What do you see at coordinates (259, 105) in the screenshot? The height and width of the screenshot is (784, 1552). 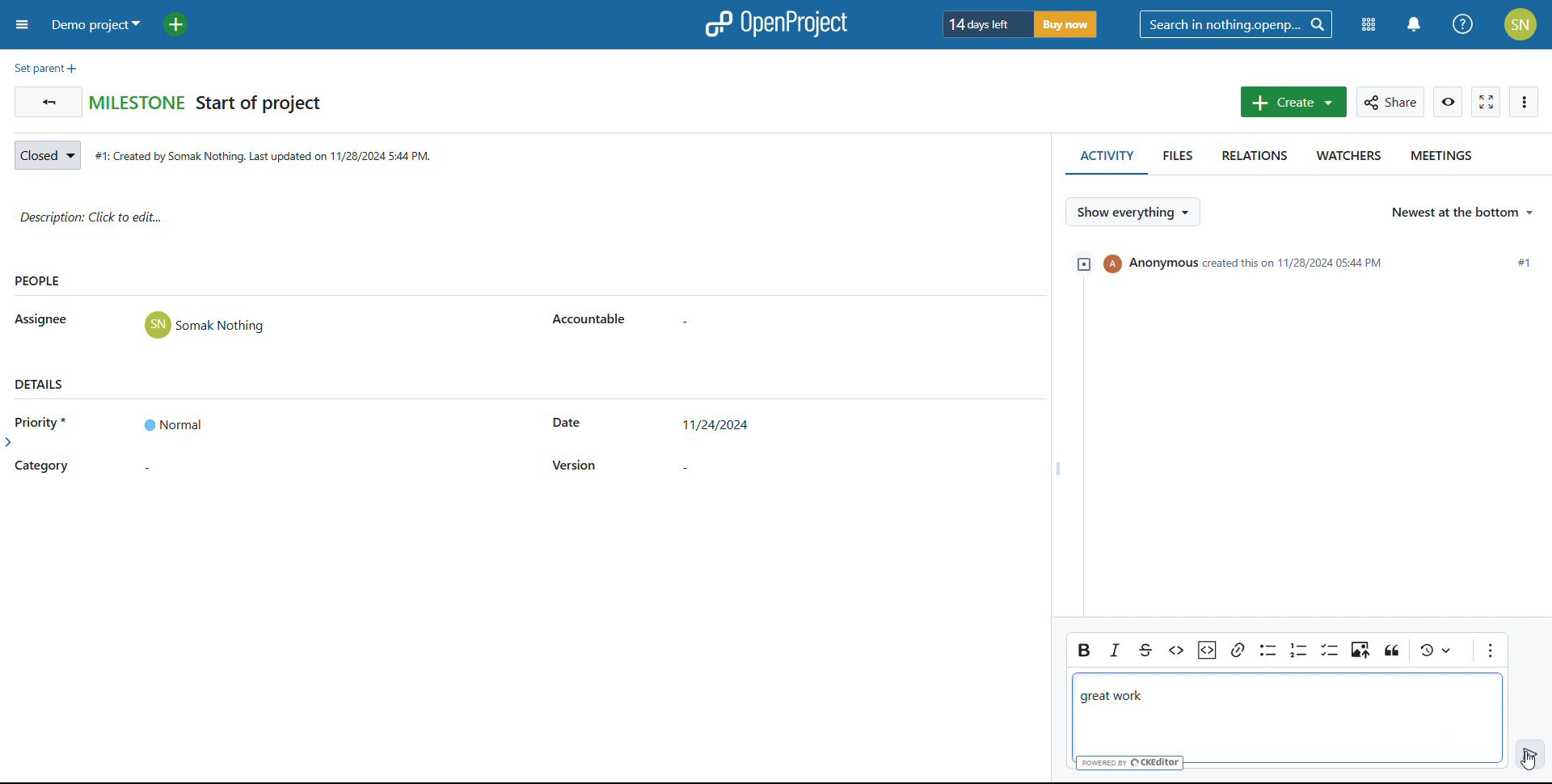 I see `start of project` at bounding box center [259, 105].